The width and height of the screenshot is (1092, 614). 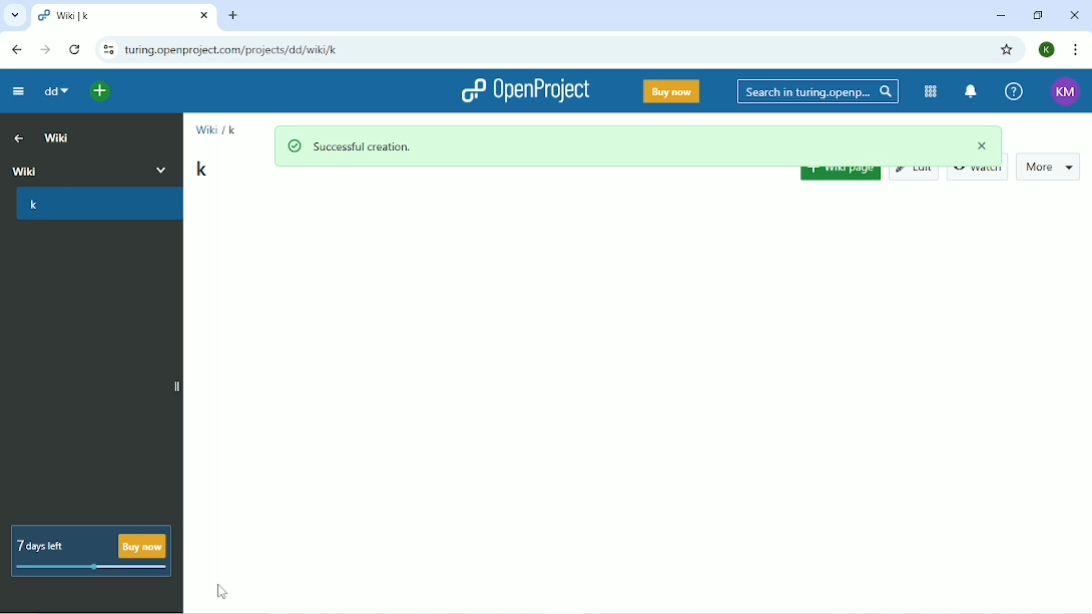 I want to click on Minimize, so click(x=1002, y=15).